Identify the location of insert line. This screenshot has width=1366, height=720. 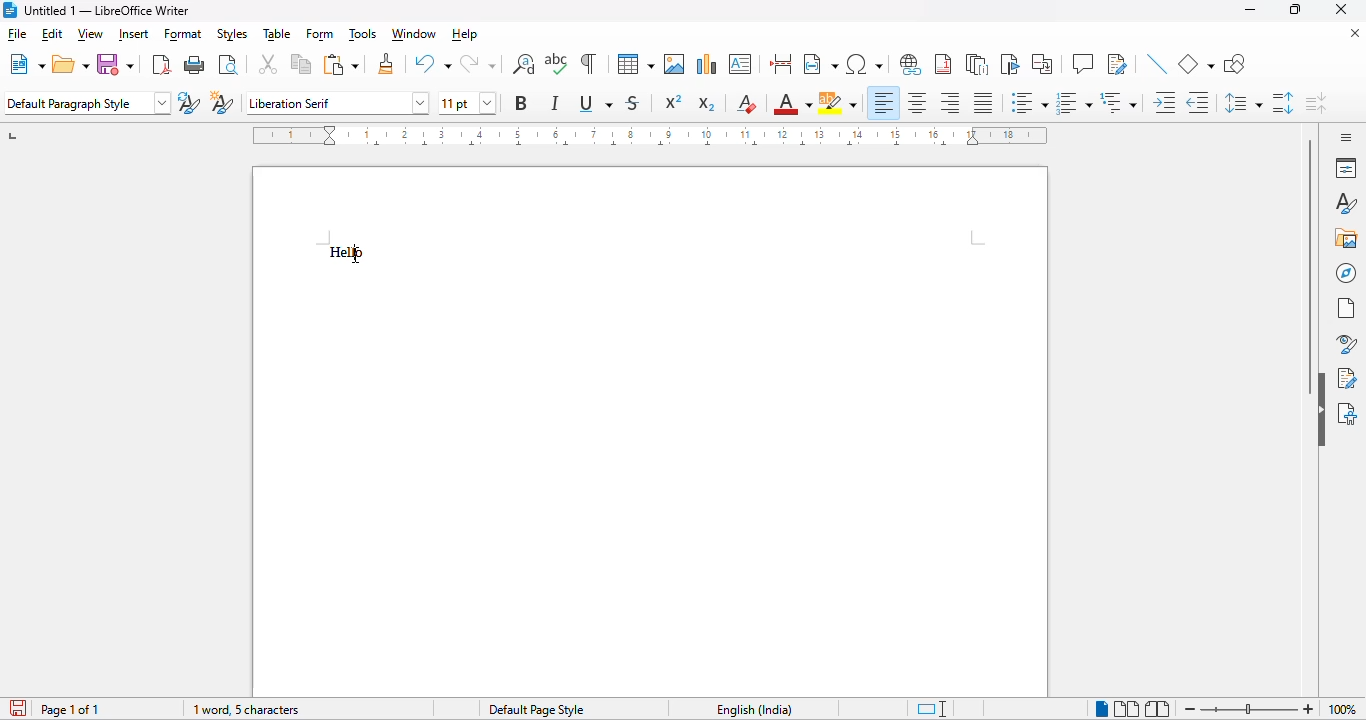
(1158, 65).